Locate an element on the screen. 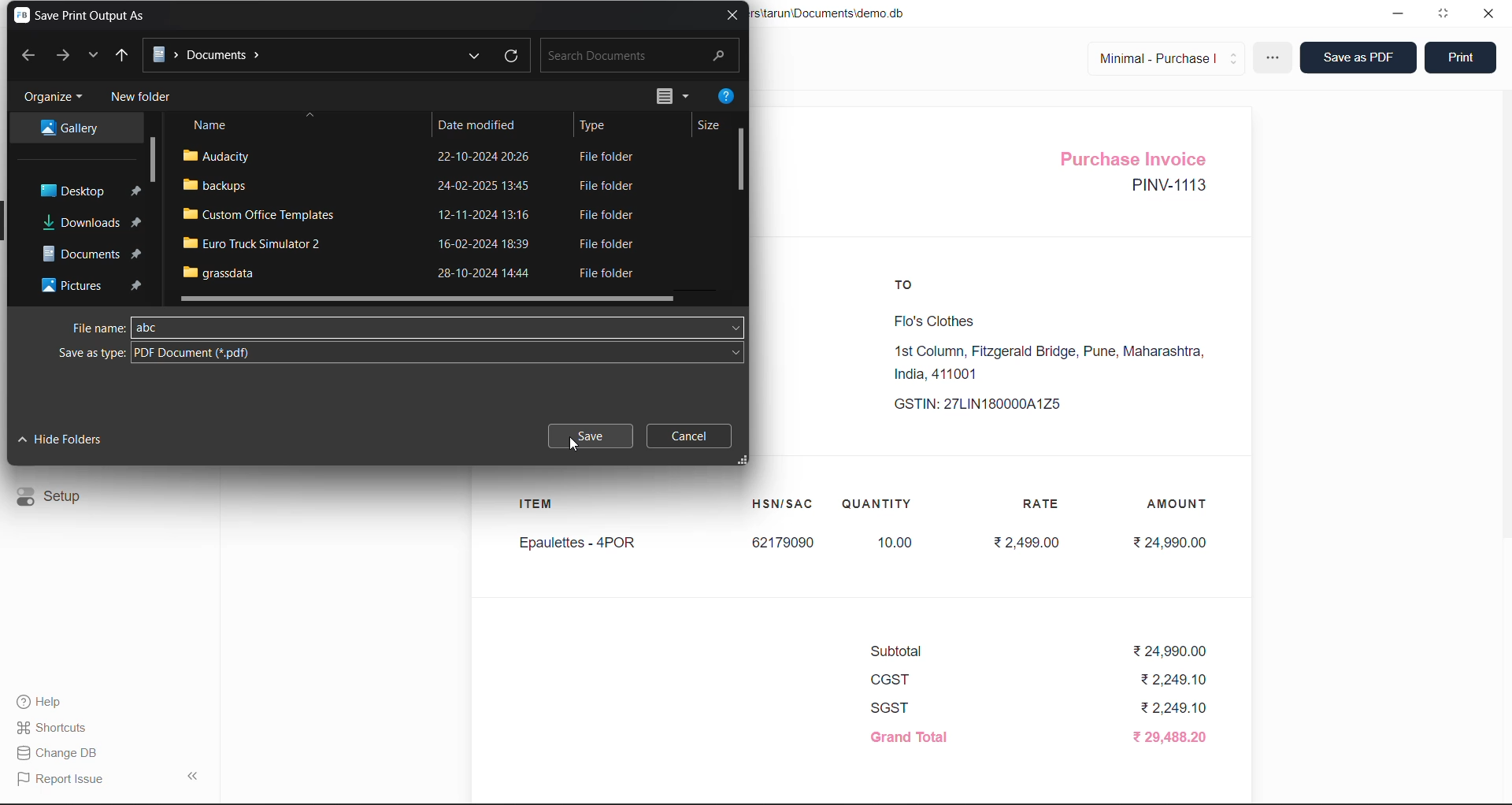 The image size is (1512, 805). search is located at coordinates (719, 56).